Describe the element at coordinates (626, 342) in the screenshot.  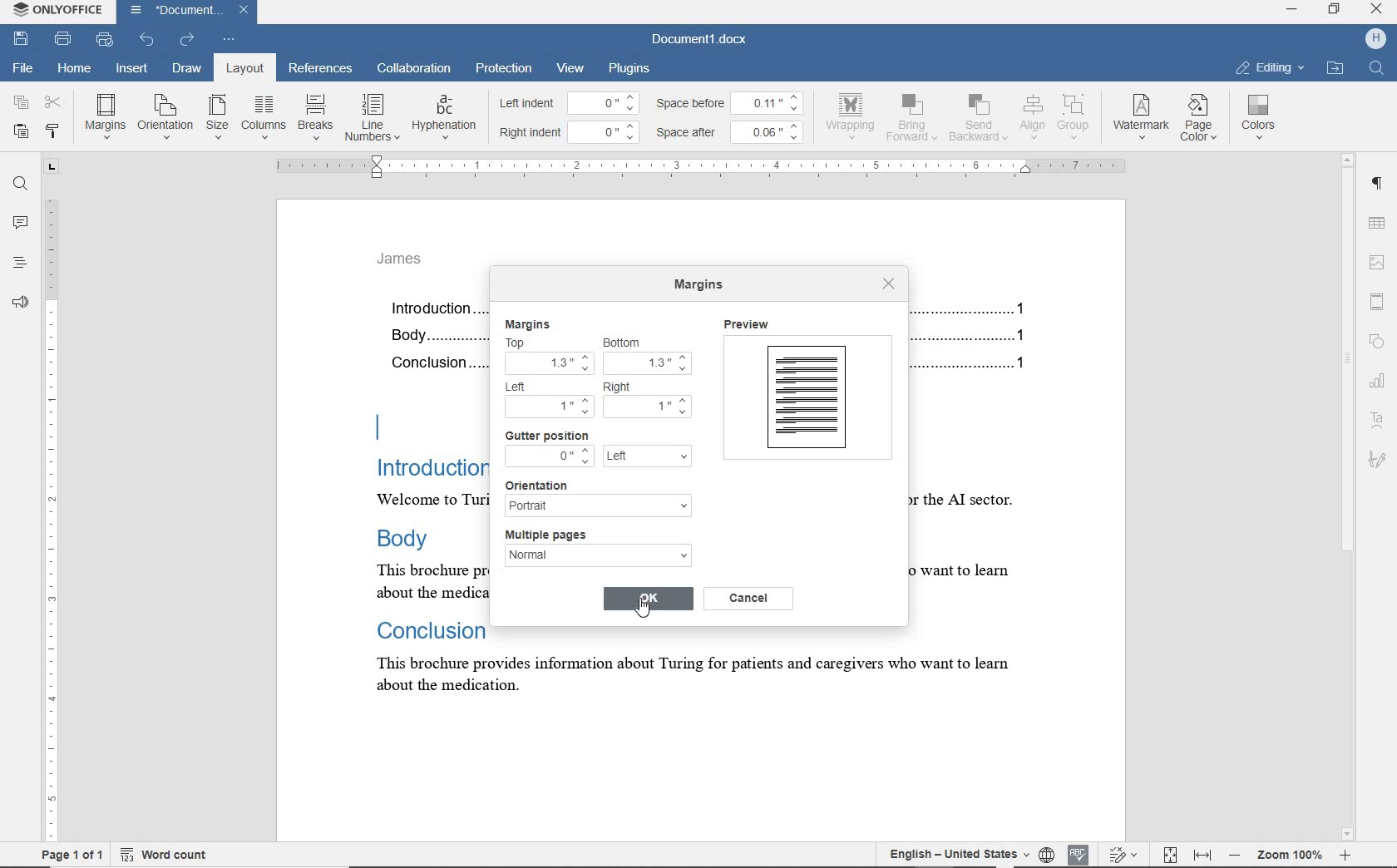
I see `bottom` at that location.